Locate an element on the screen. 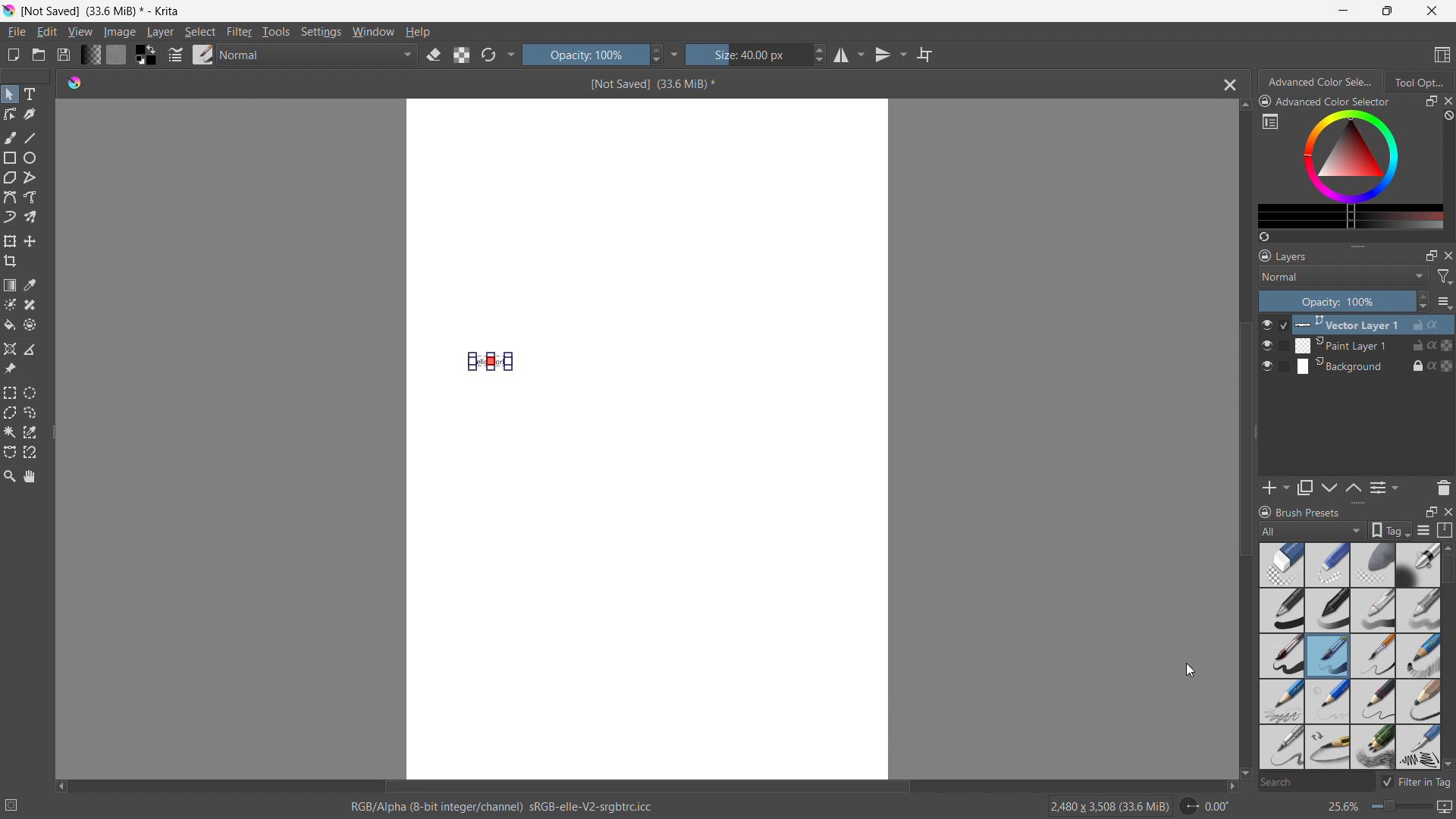  resize is located at coordinates (1256, 433).